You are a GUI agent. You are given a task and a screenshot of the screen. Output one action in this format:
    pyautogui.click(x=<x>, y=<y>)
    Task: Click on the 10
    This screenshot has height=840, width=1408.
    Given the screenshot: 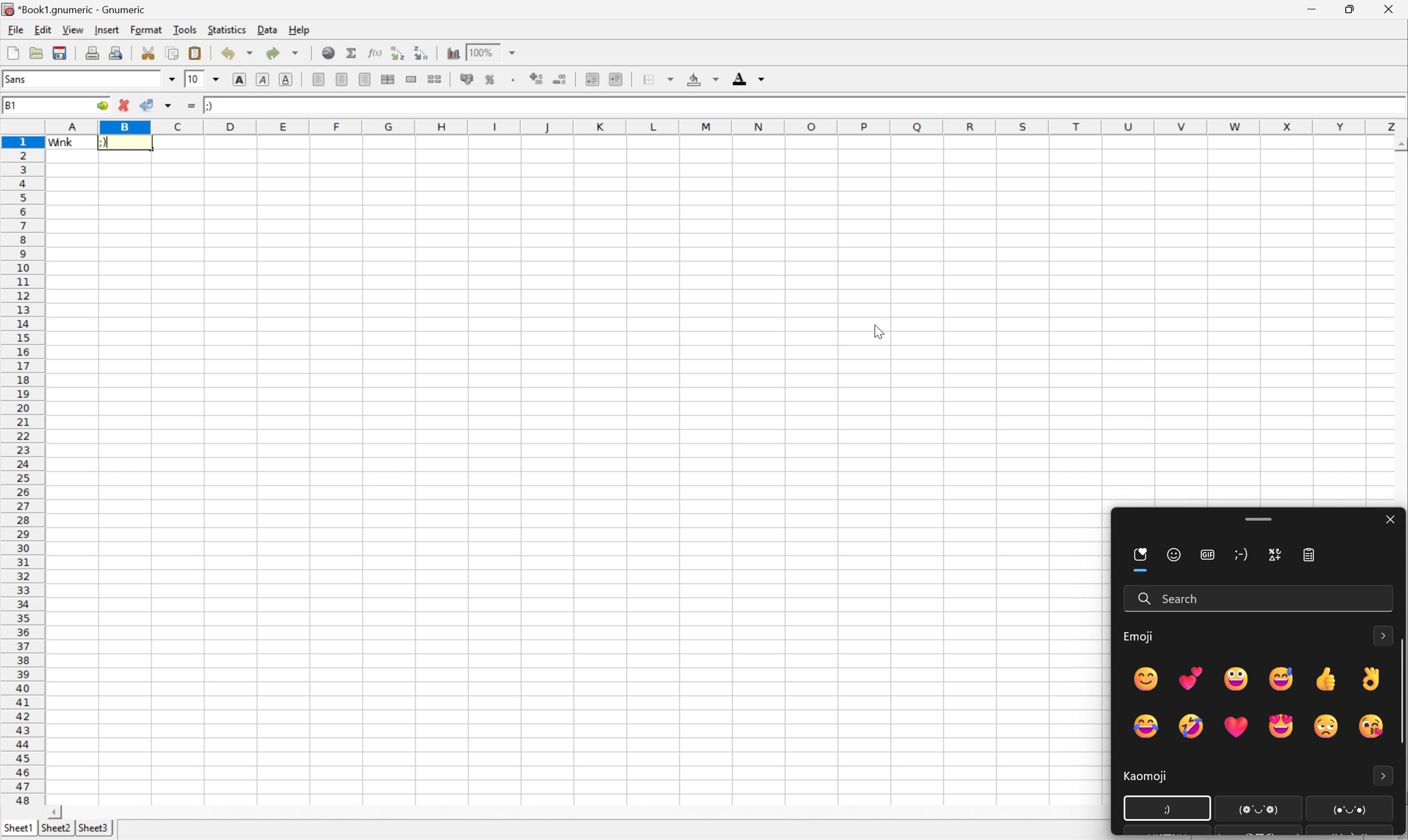 What is the action you would take?
    pyautogui.click(x=195, y=78)
    